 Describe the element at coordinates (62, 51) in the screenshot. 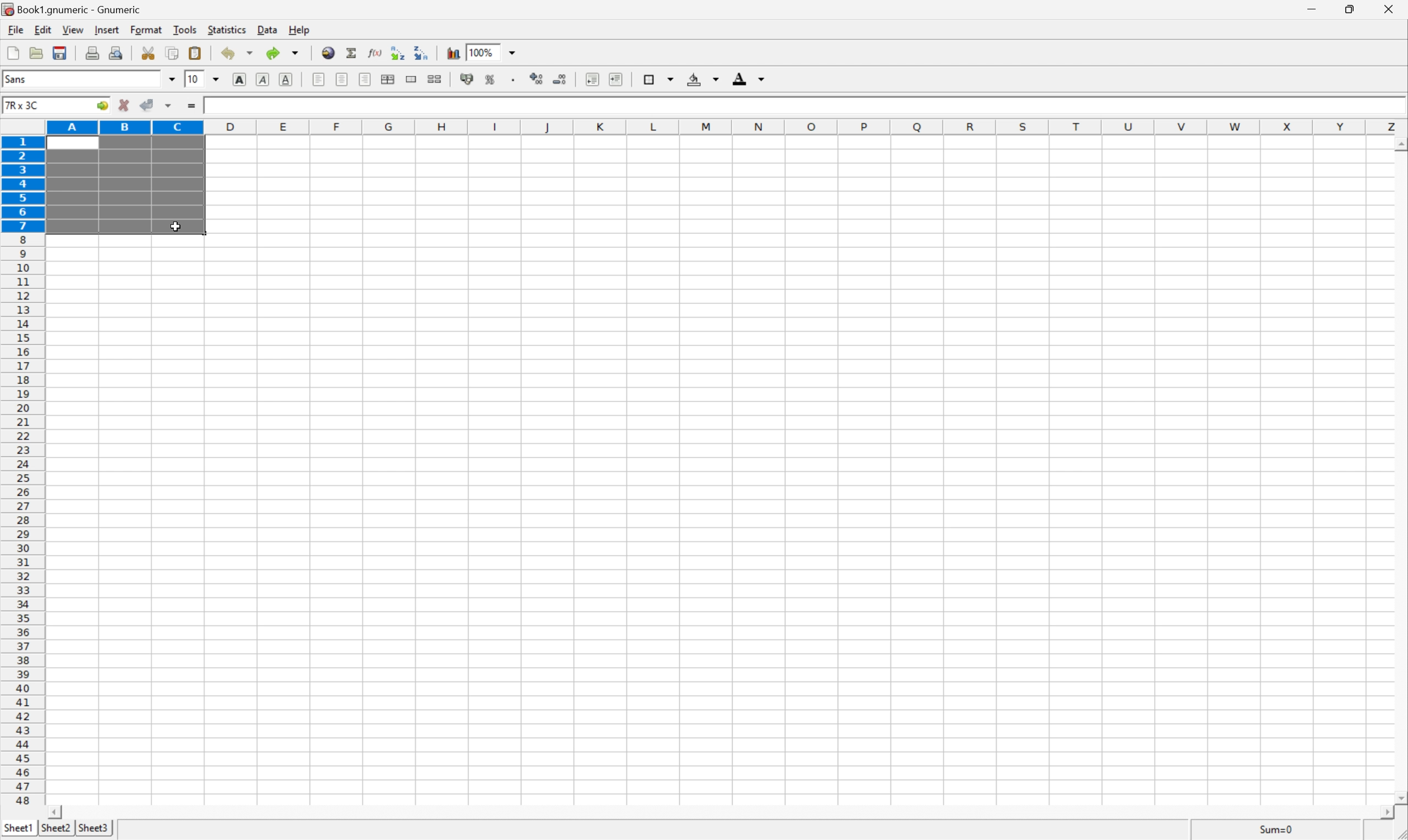

I see `save current workbook` at that location.